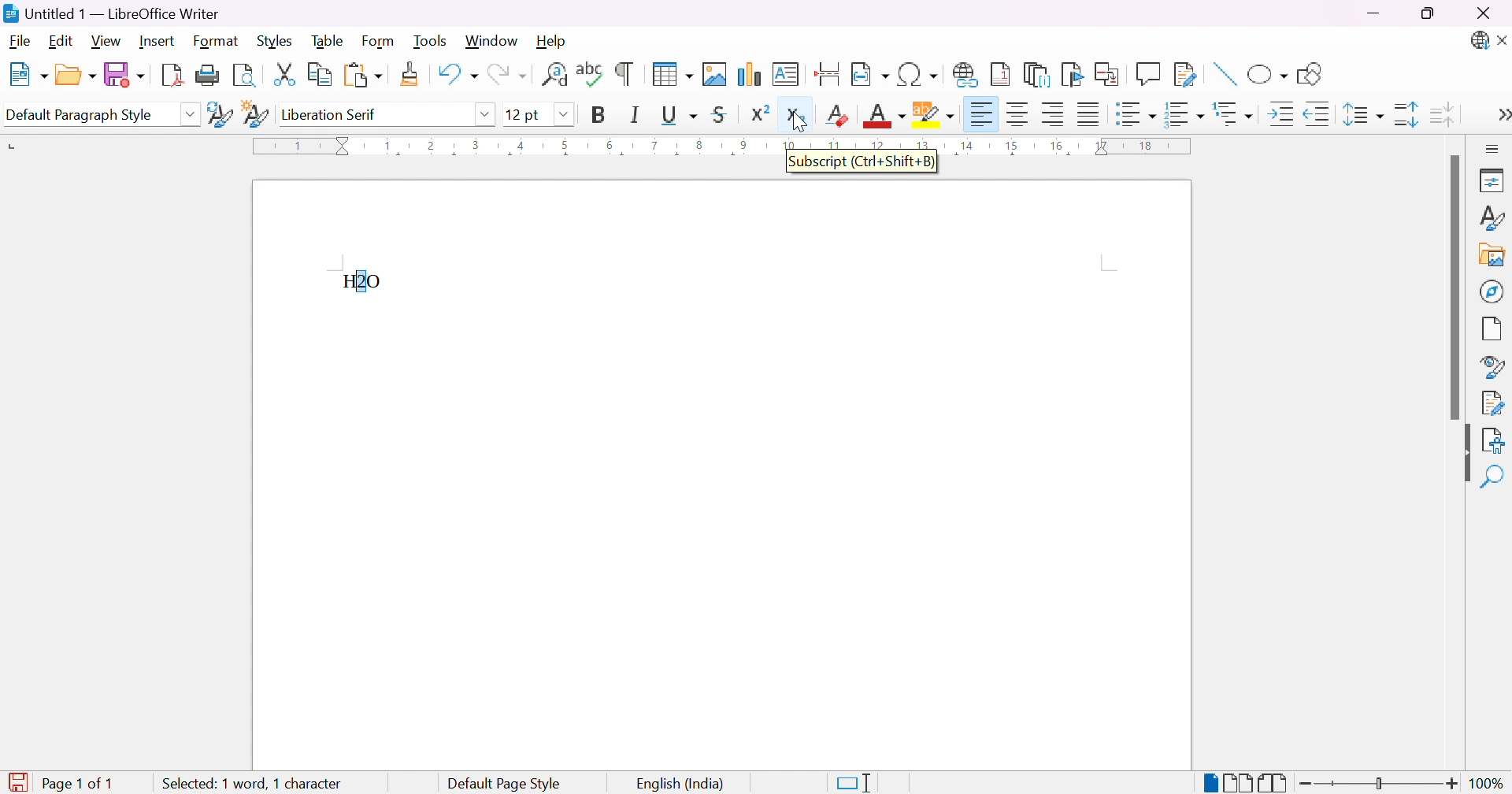  What do you see at coordinates (796, 116) in the screenshot?
I see `Subscript` at bounding box center [796, 116].